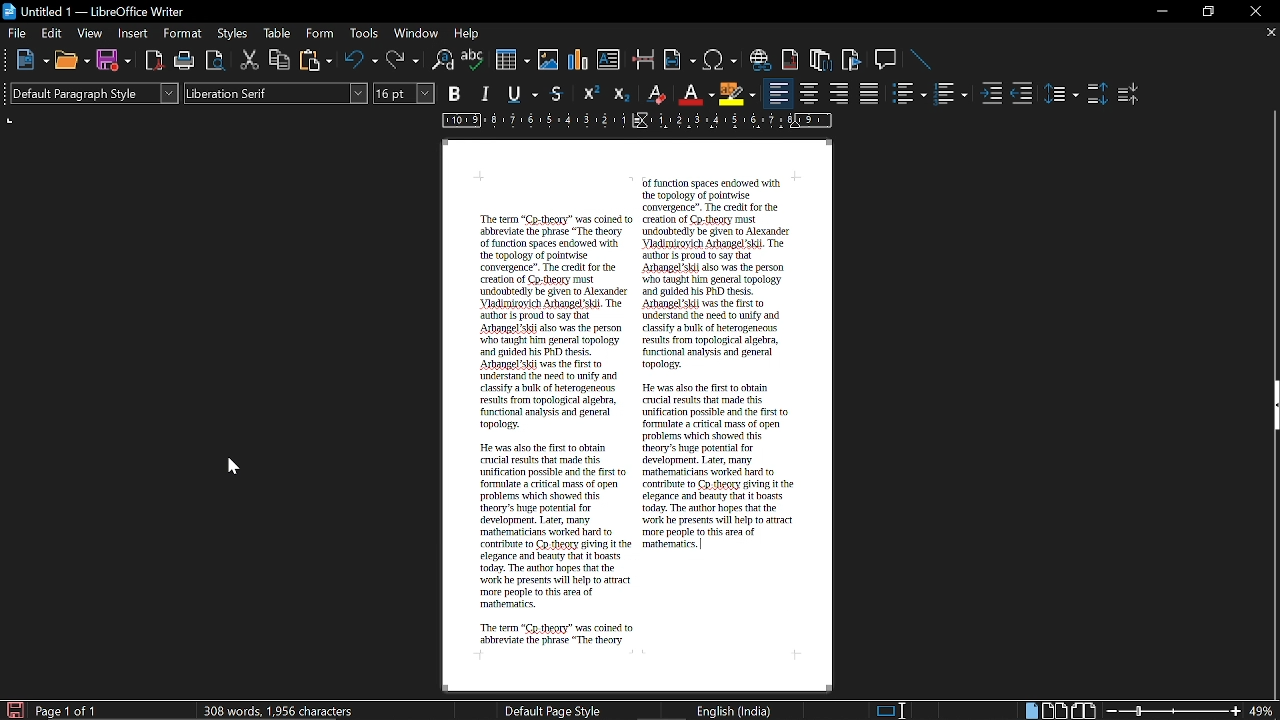  I want to click on Edit, so click(52, 33).